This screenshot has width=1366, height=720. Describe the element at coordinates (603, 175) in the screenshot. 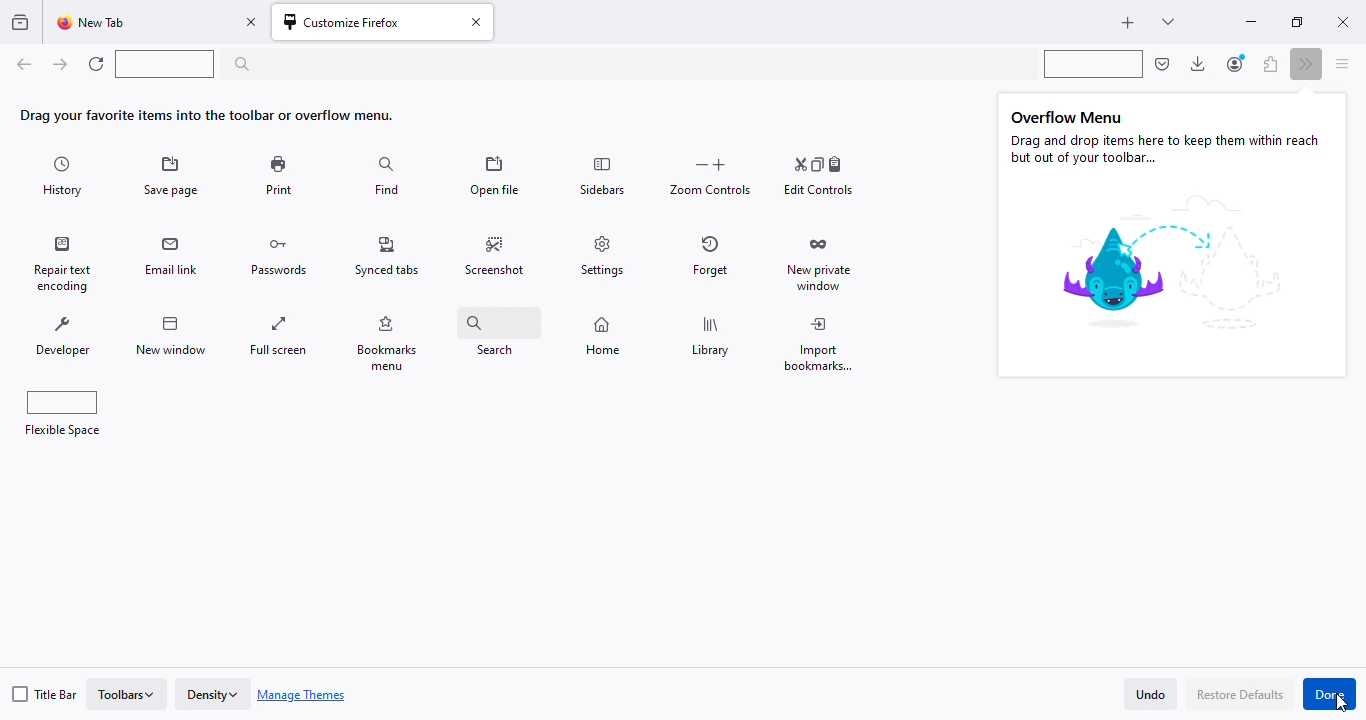

I see `sidebars` at that location.